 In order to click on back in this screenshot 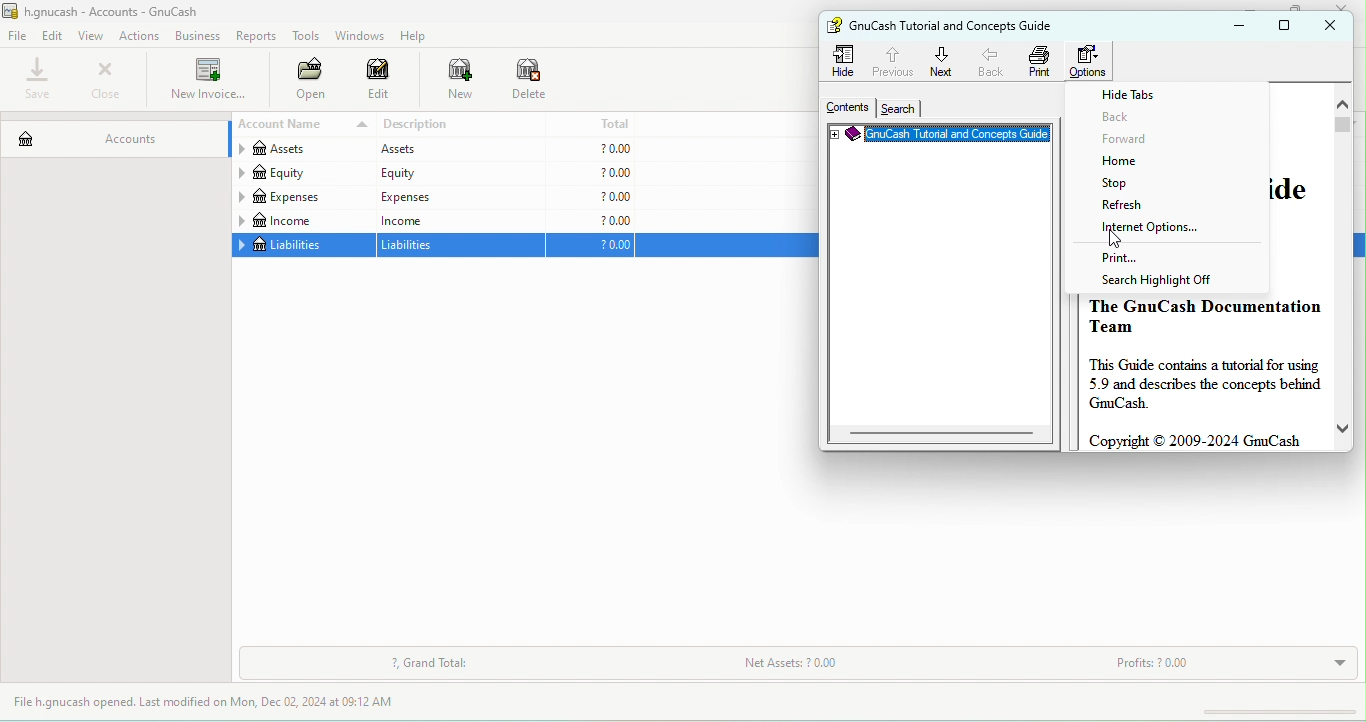, I will do `click(993, 61)`.